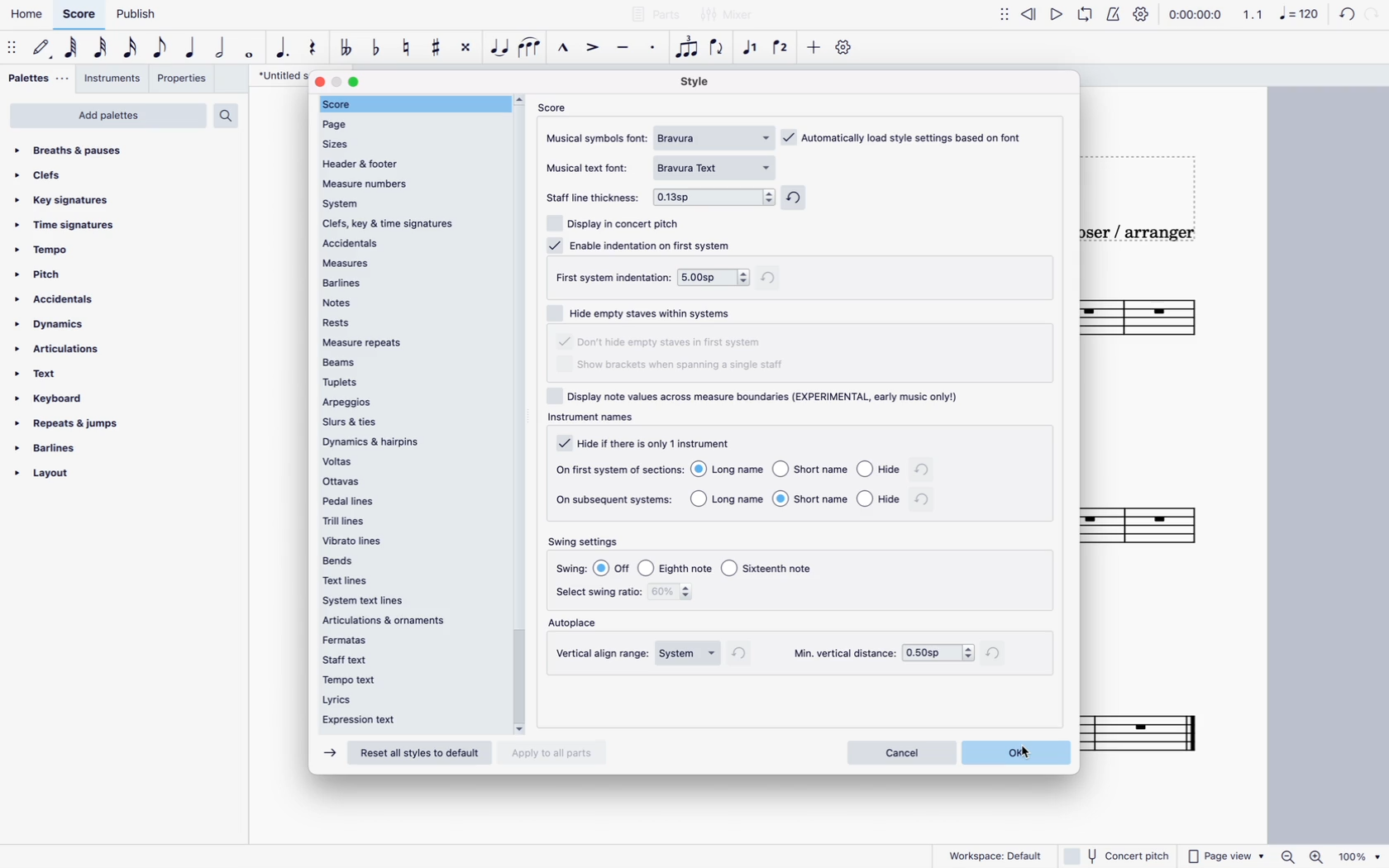 The image size is (1389, 868). Describe the element at coordinates (410, 322) in the screenshot. I see `rests` at that location.